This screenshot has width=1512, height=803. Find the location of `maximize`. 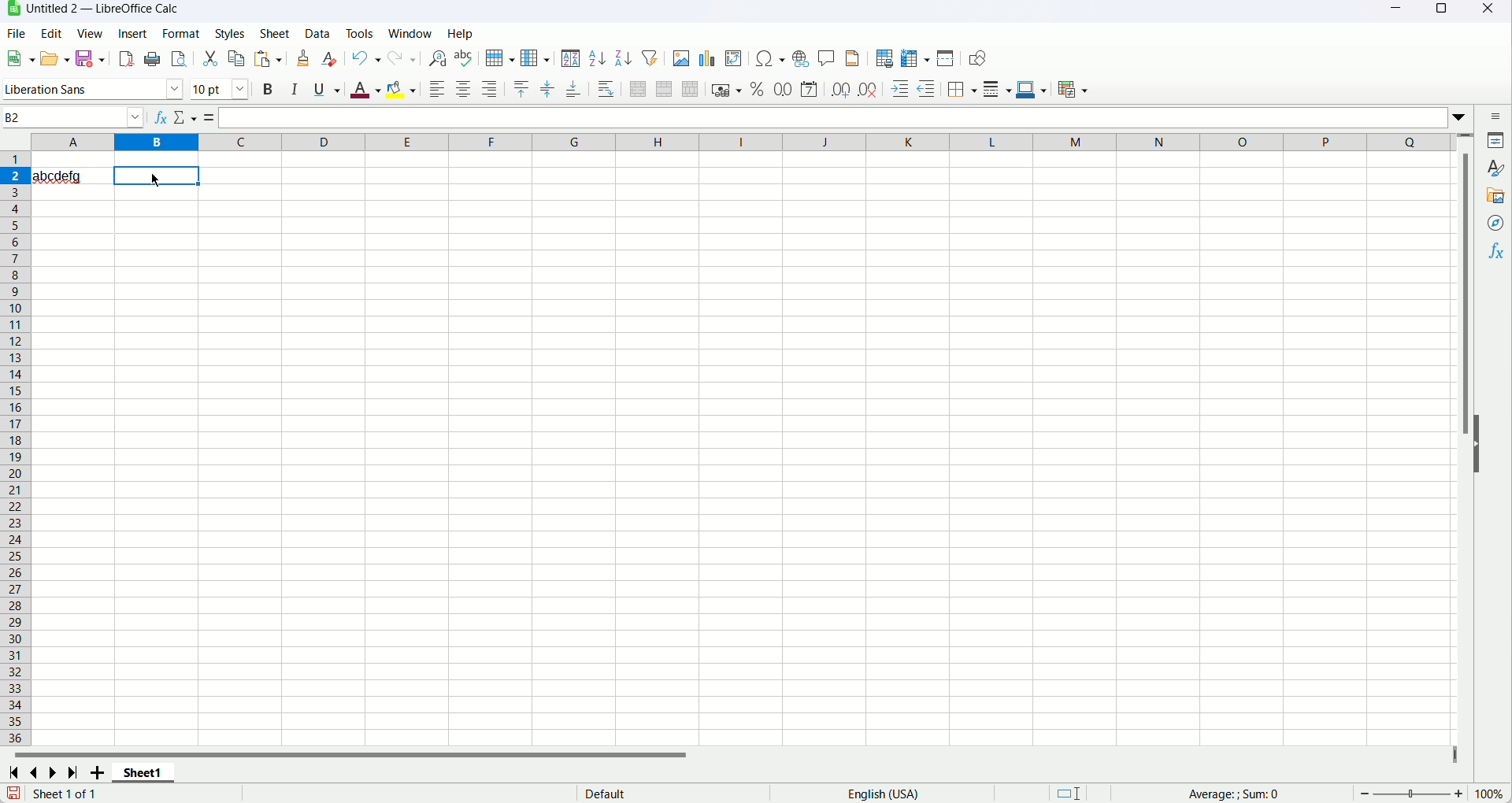

maximize is located at coordinates (1438, 9).